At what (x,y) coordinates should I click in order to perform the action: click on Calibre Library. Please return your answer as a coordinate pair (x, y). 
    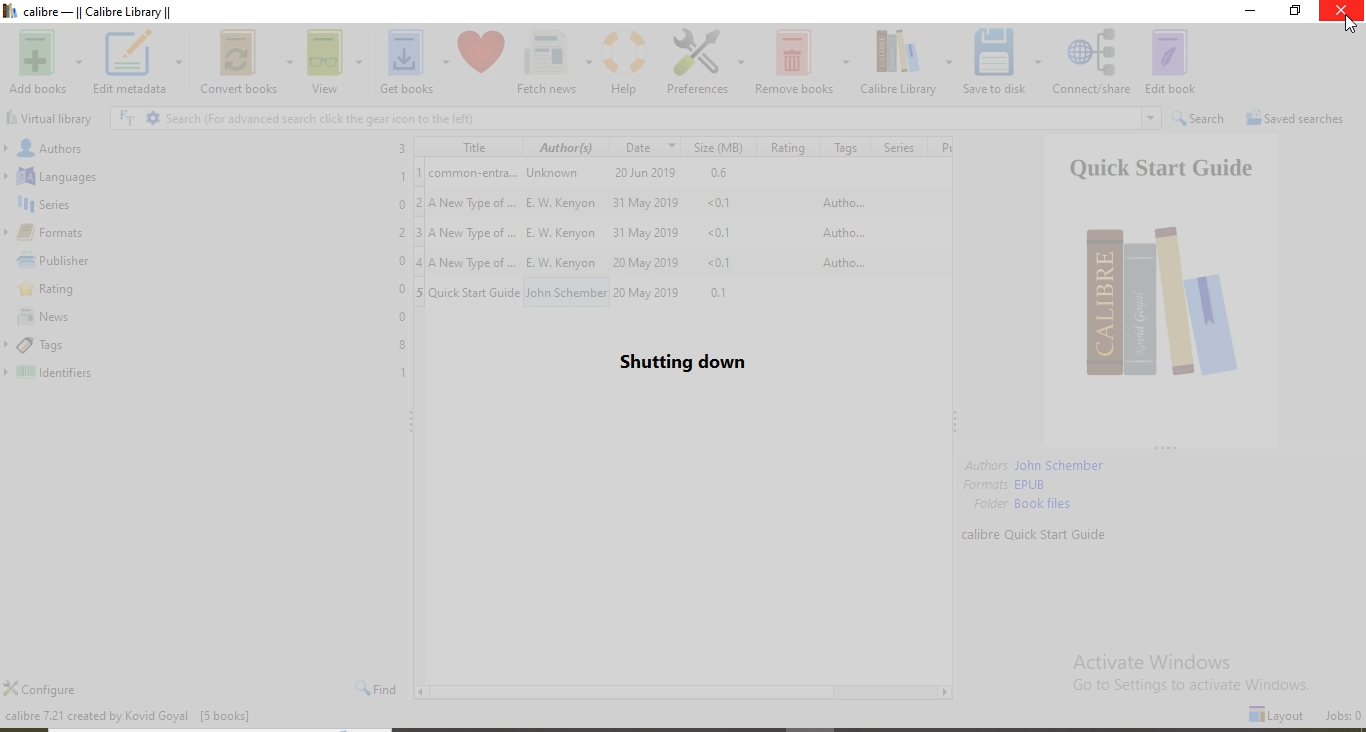
    Looking at the image, I should click on (908, 62).